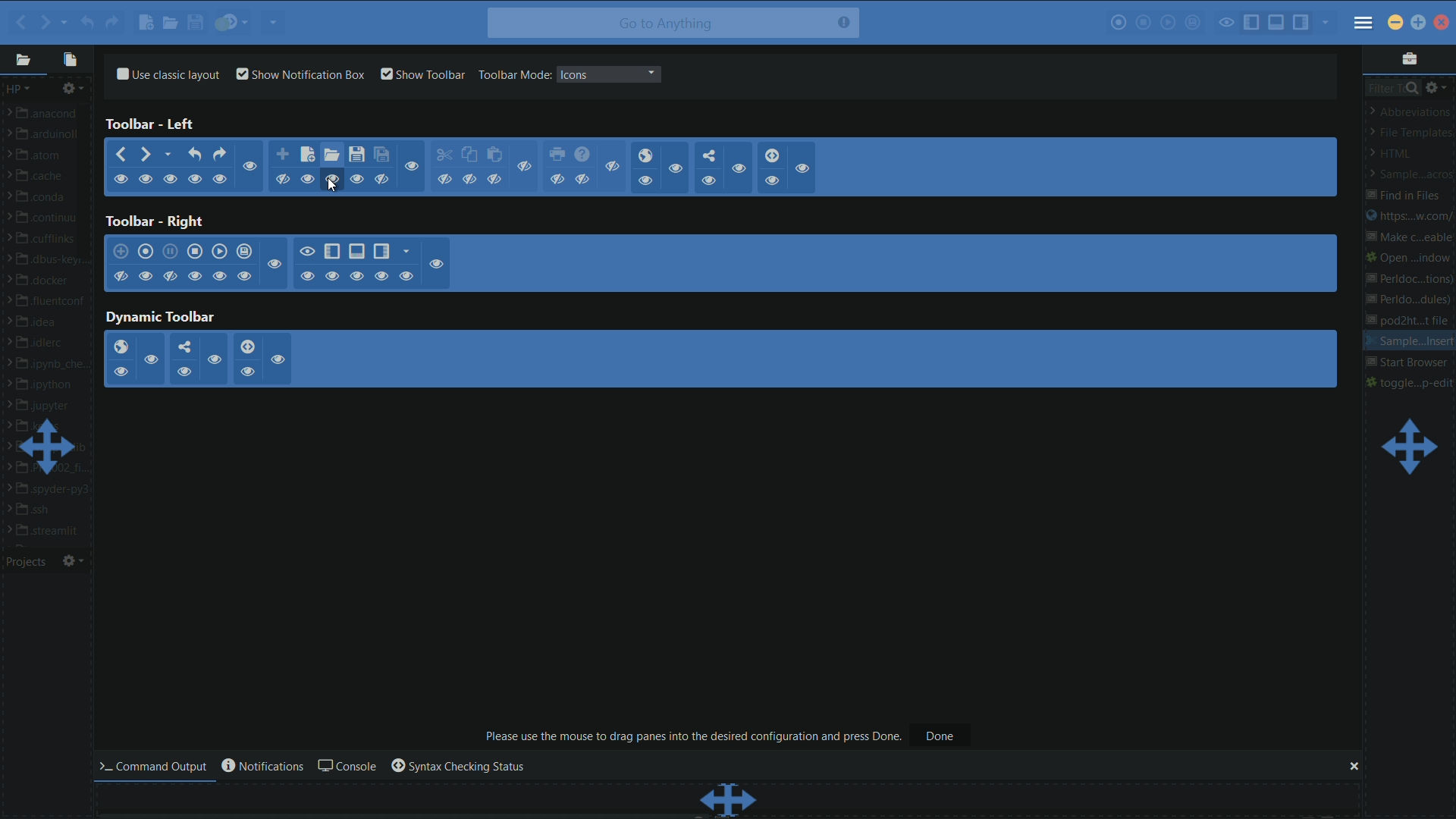 This screenshot has width=1456, height=819. What do you see at coordinates (331, 178) in the screenshot?
I see `show/hide` at bounding box center [331, 178].